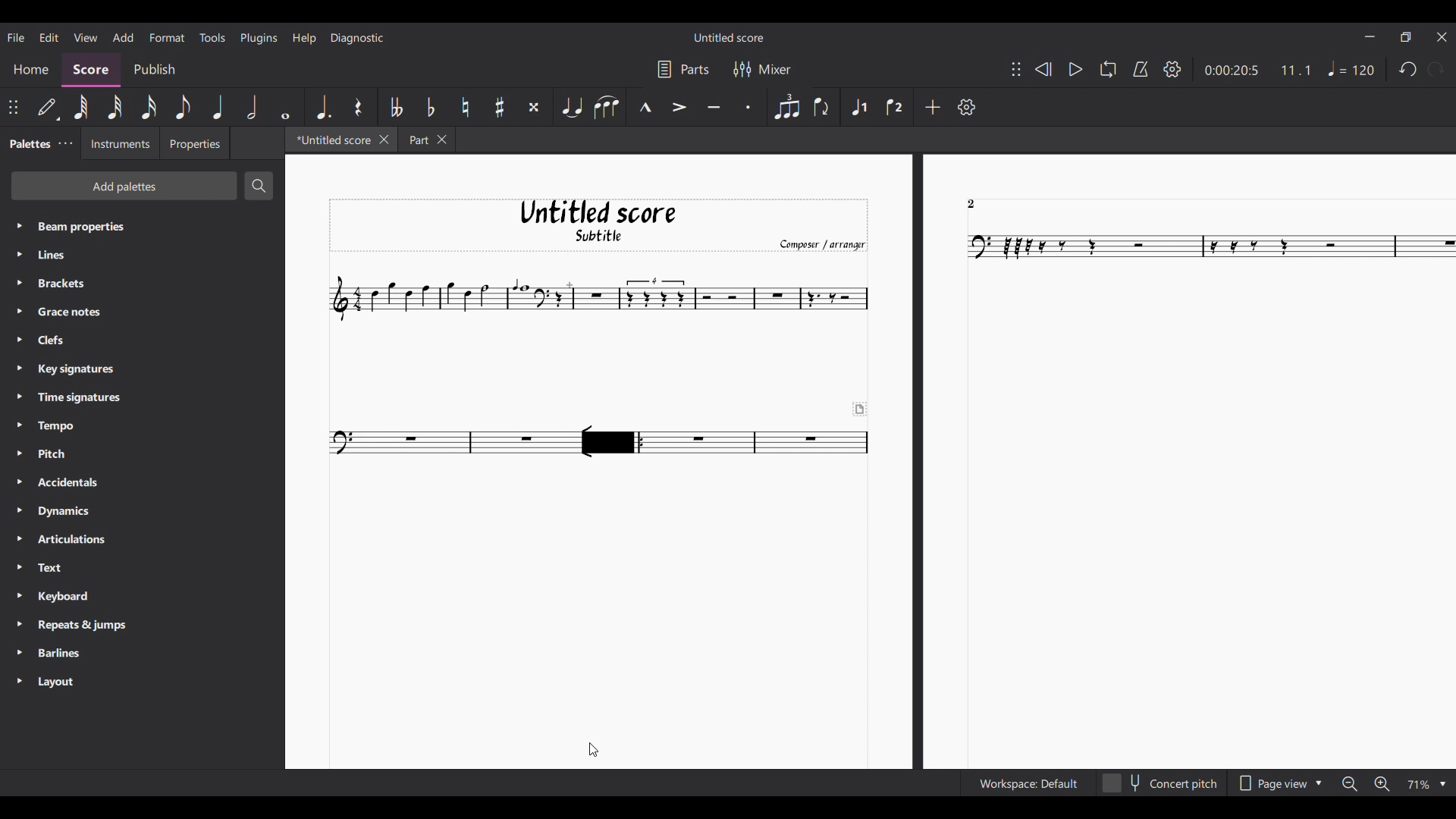 The height and width of the screenshot is (819, 1456). What do you see at coordinates (120, 143) in the screenshot?
I see `Instruments tab` at bounding box center [120, 143].